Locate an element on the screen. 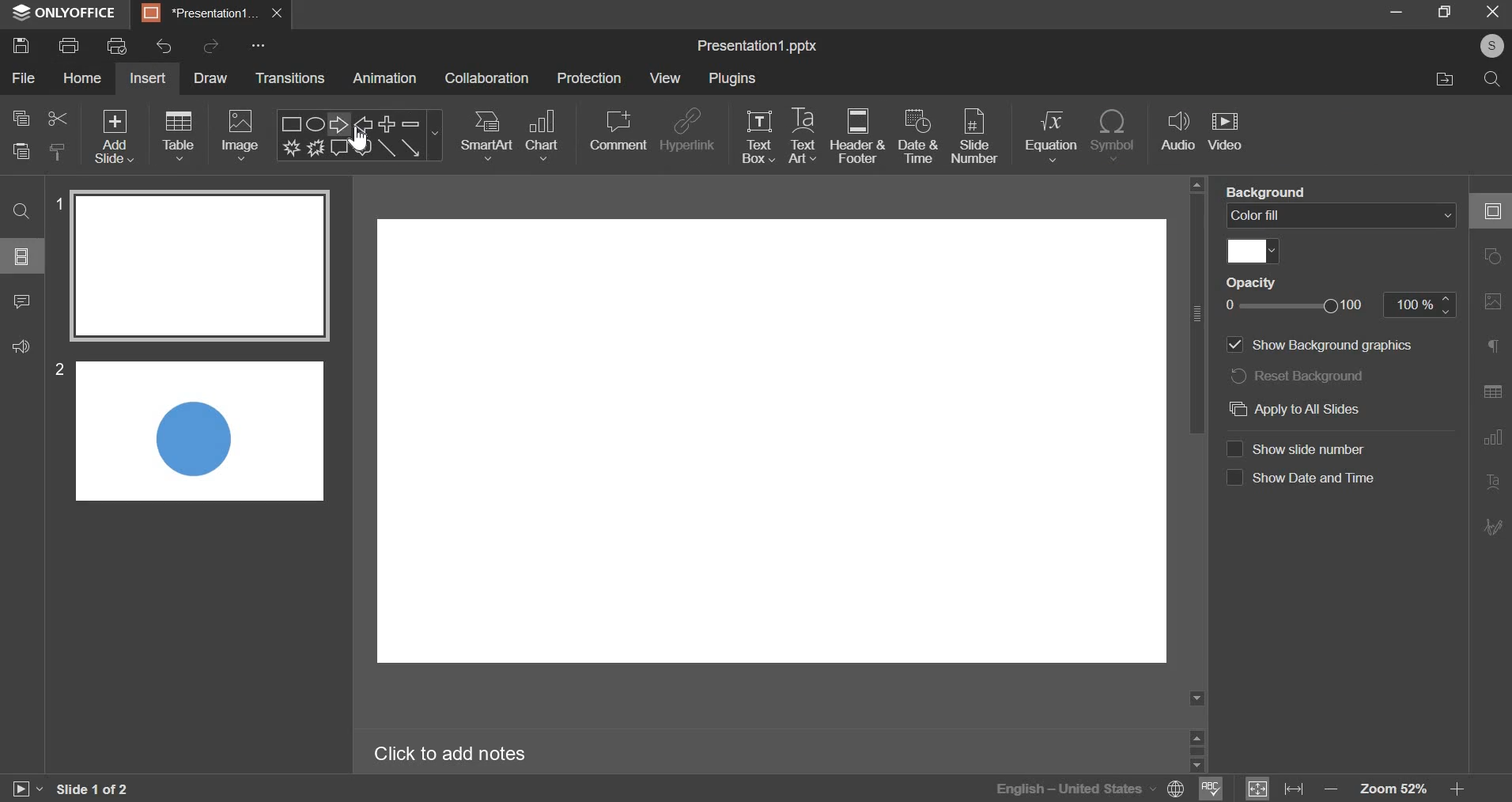  plugins is located at coordinates (733, 78).